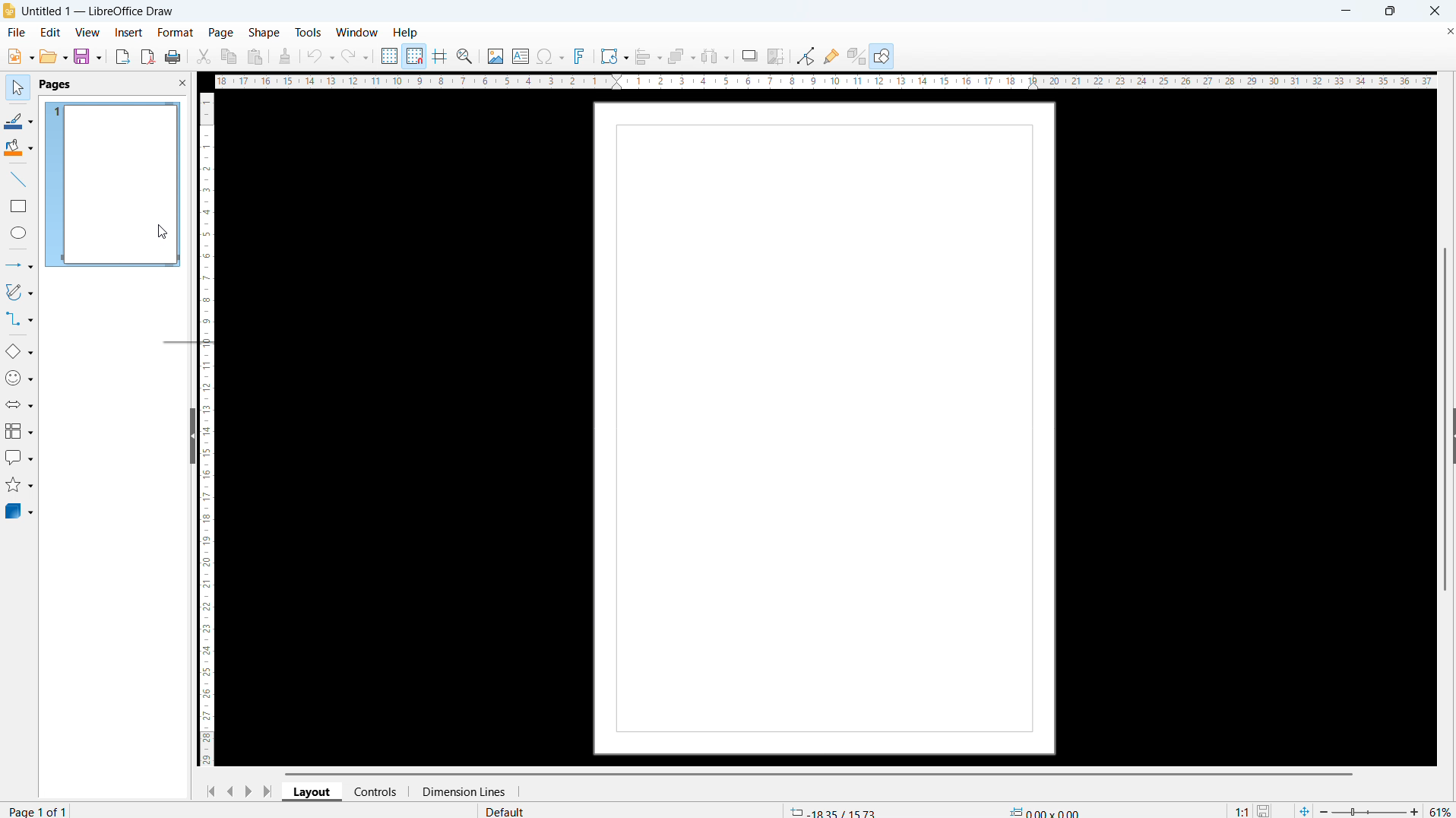 This screenshot has width=1456, height=818. What do you see at coordinates (414, 56) in the screenshot?
I see `Snap to grid ` at bounding box center [414, 56].